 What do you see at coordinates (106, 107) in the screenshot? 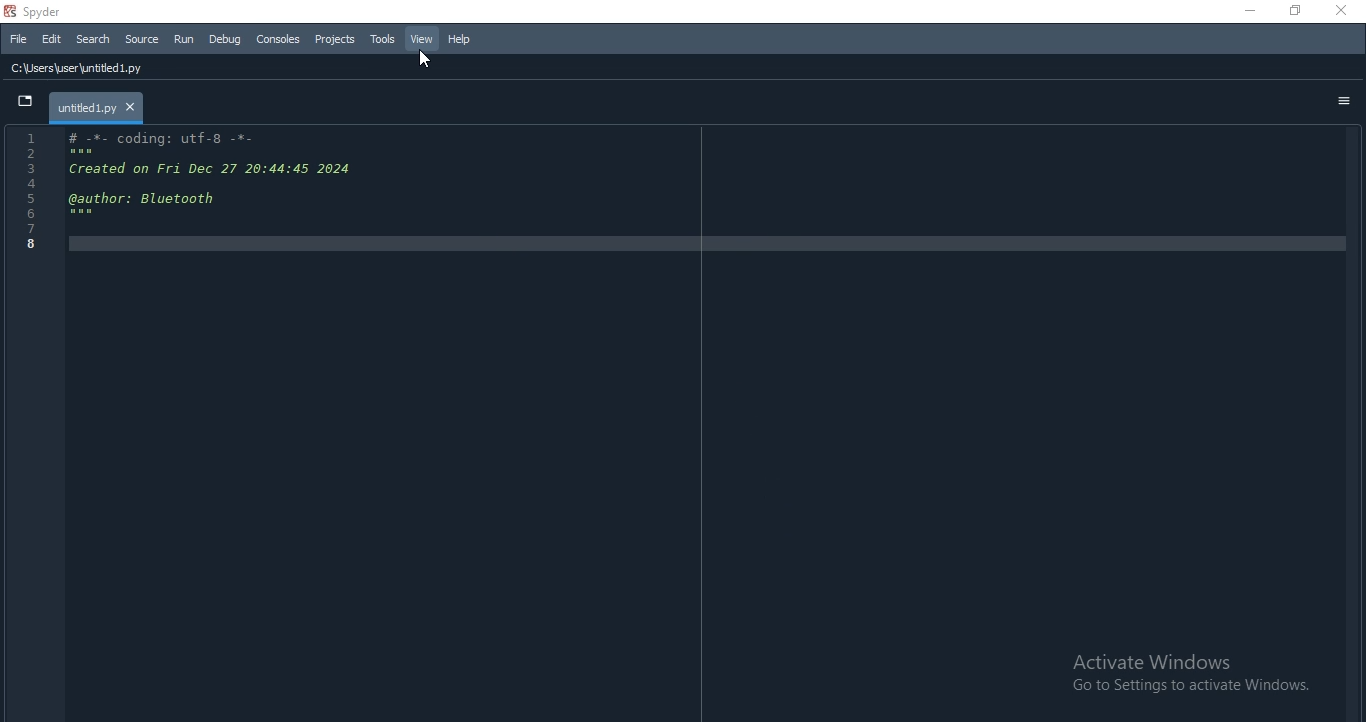
I see `untitled.py` at bounding box center [106, 107].